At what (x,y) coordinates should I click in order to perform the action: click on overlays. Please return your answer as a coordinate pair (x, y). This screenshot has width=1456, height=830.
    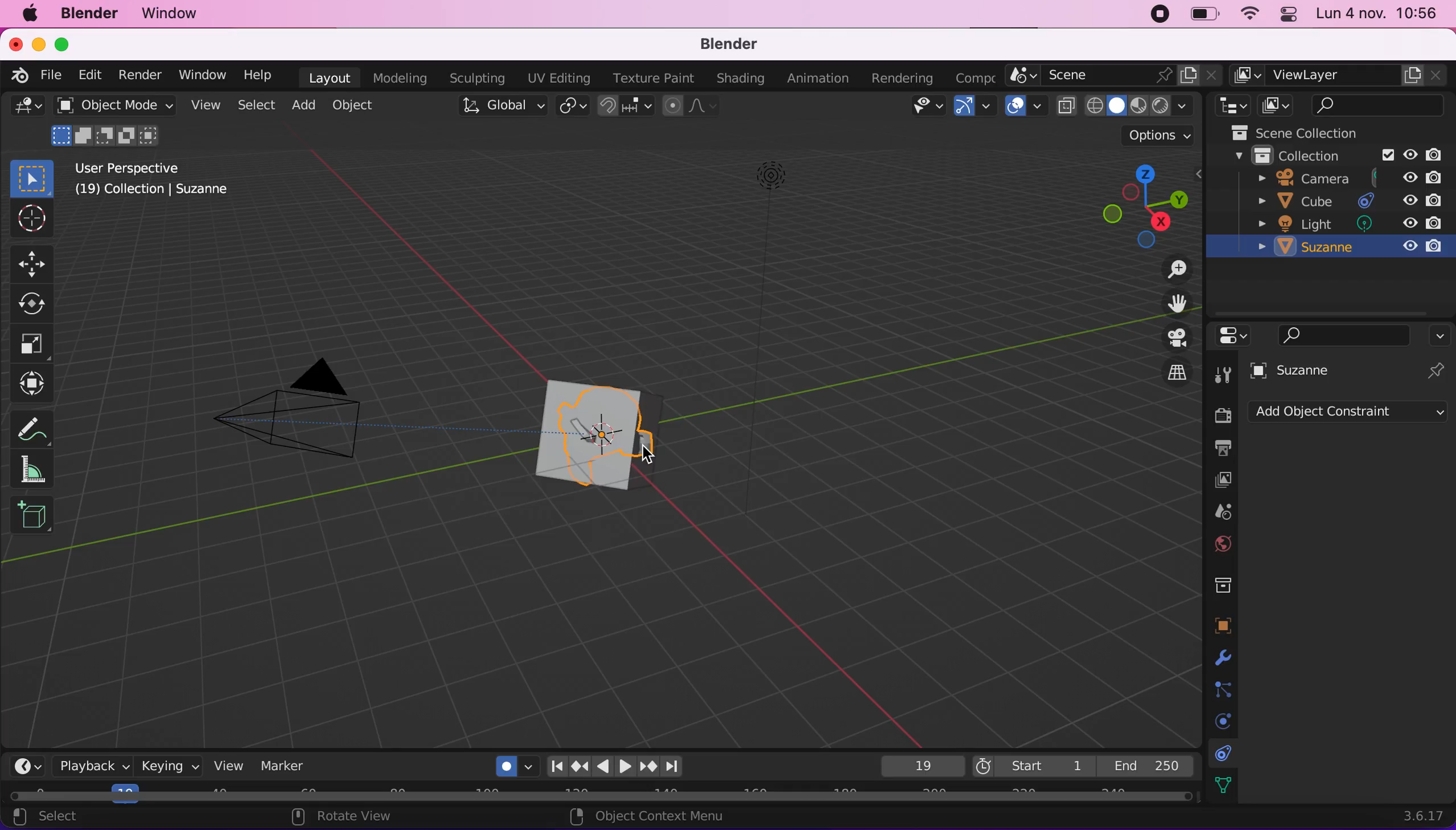
    Looking at the image, I should click on (1039, 108).